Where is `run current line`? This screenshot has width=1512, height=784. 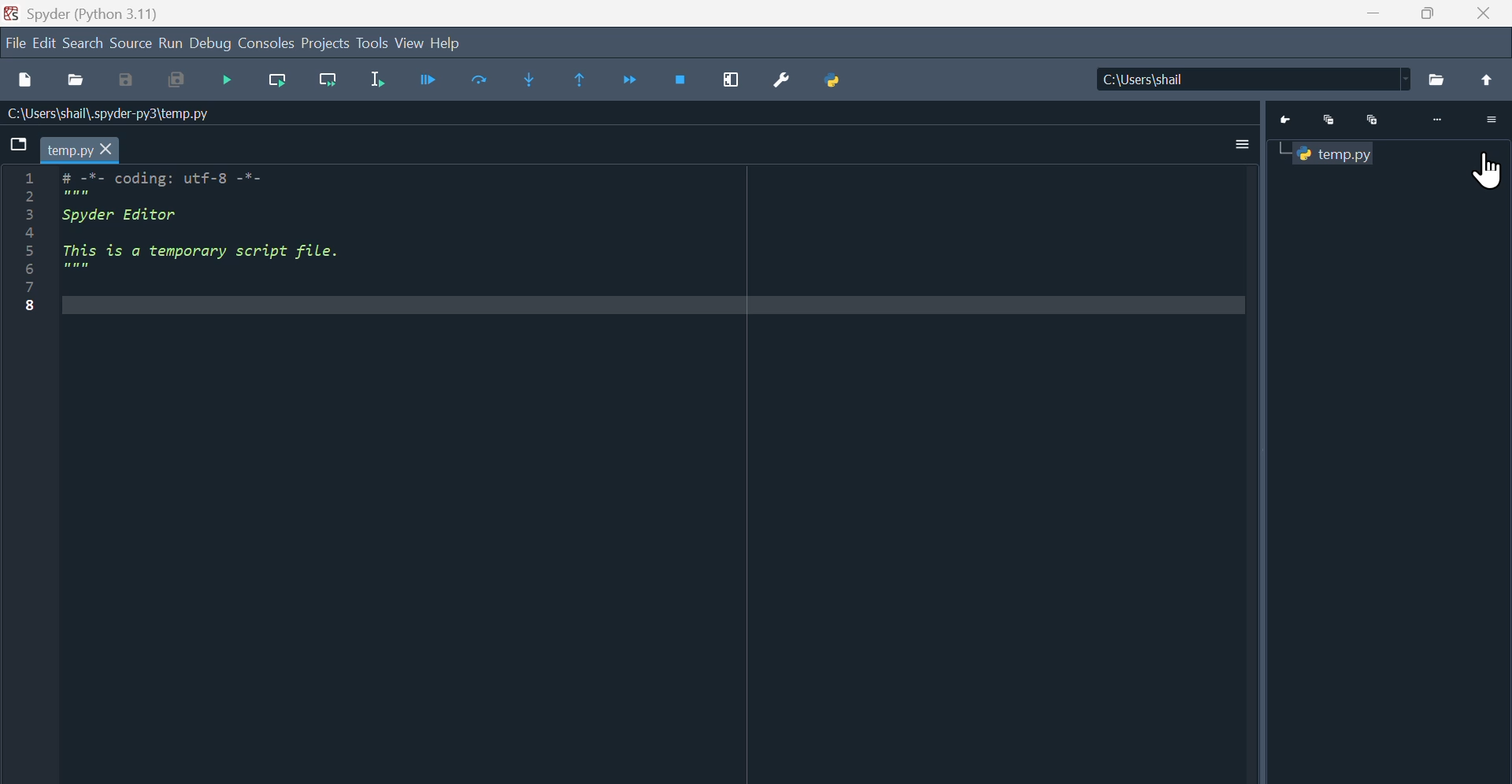
run current line is located at coordinates (277, 83).